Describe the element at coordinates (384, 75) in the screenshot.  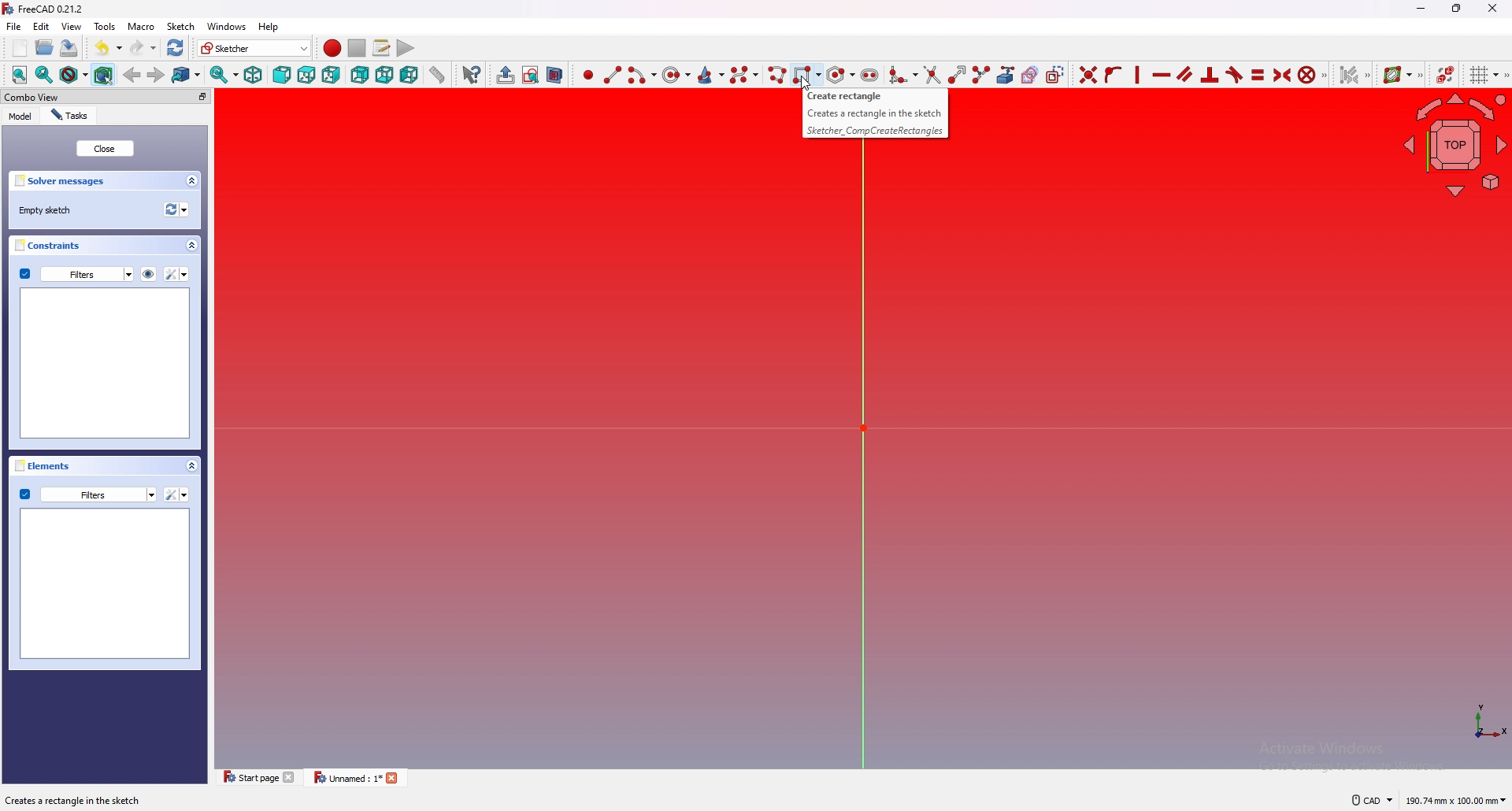
I see `bottom` at that location.